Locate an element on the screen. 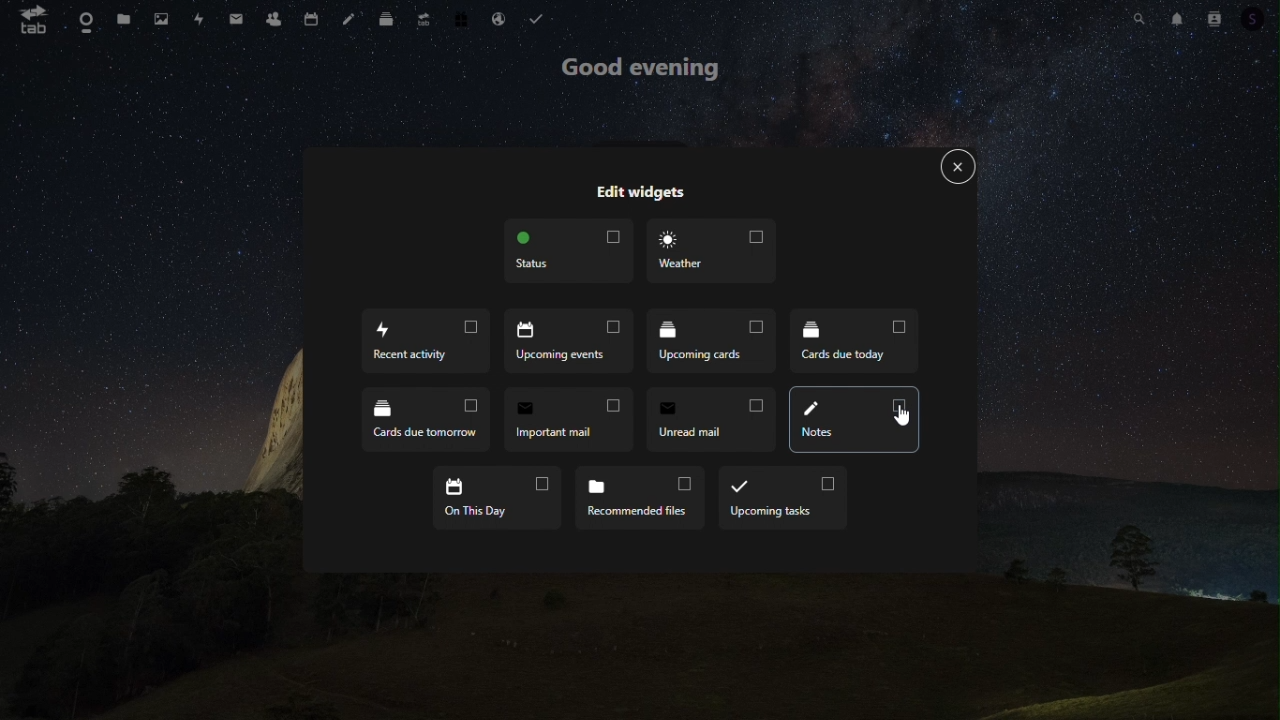 Image resolution: width=1280 pixels, height=720 pixels. Upcoming cards is located at coordinates (710, 345).